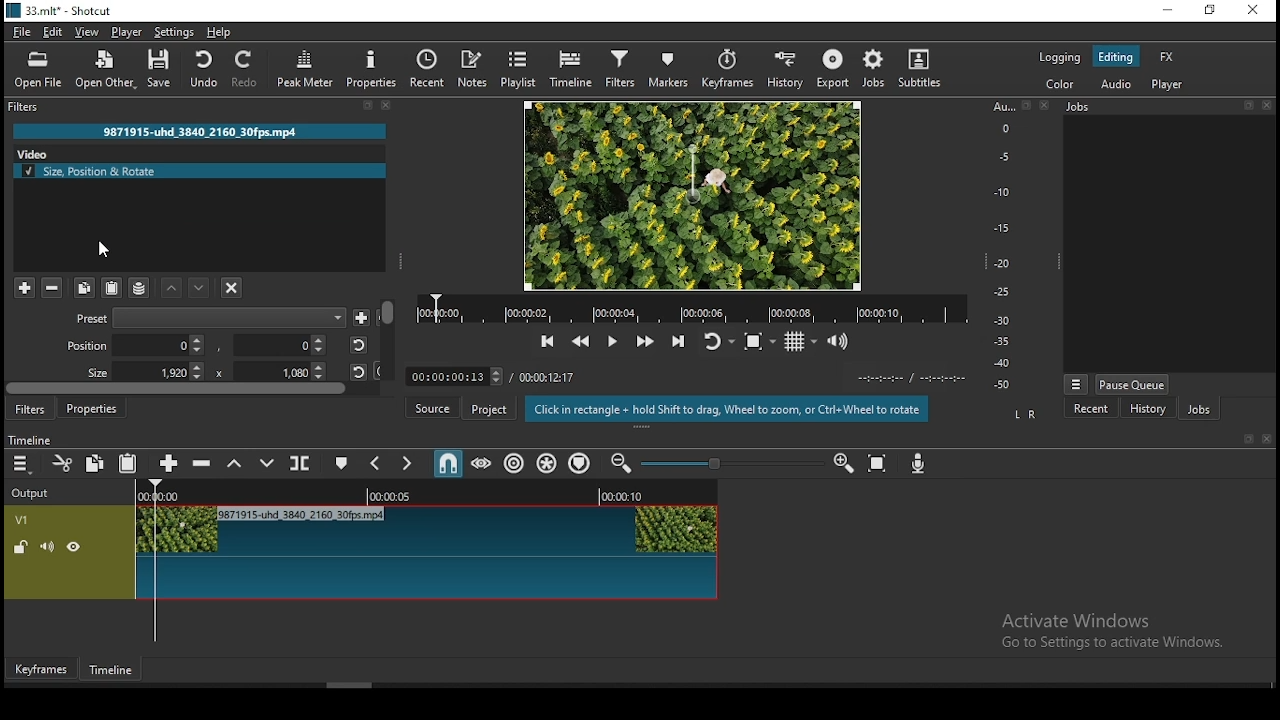 This screenshot has width=1280, height=720. What do you see at coordinates (367, 553) in the screenshot?
I see `video track` at bounding box center [367, 553].